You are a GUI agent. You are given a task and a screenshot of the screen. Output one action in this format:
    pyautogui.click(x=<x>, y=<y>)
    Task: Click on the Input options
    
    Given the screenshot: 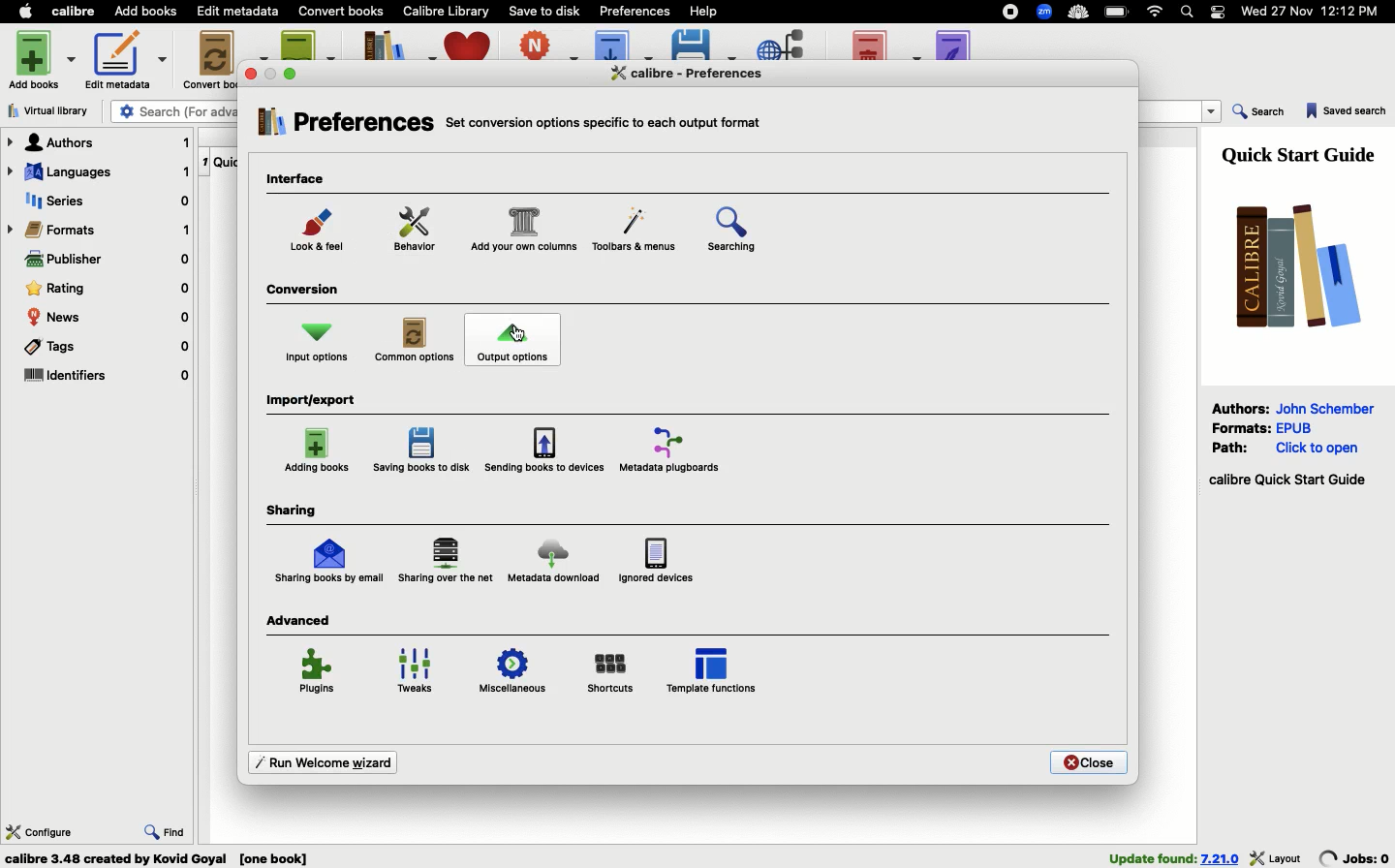 What is the action you would take?
    pyautogui.click(x=318, y=342)
    